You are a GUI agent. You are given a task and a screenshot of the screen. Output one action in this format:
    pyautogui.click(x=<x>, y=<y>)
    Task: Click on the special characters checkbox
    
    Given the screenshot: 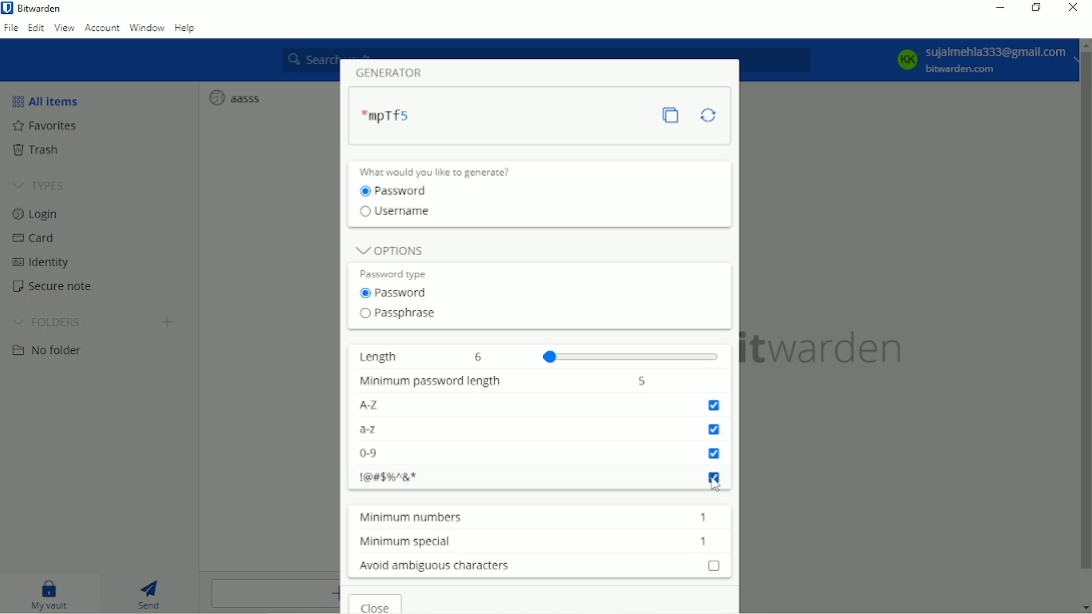 What is the action you would take?
    pyautogui.click(x=717, y=480)
    